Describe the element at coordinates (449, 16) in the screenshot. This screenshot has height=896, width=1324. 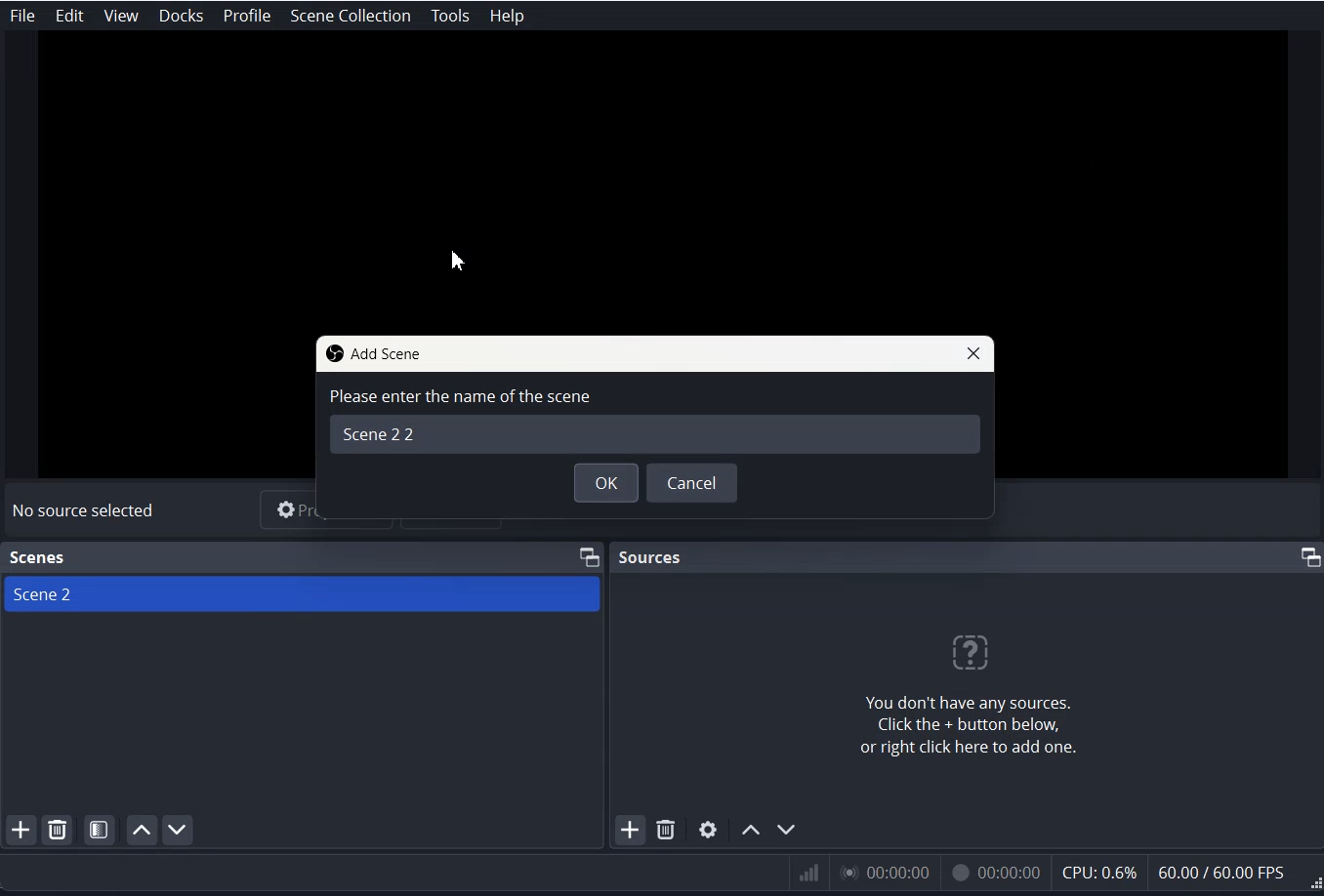
I see `Tools` at that location.